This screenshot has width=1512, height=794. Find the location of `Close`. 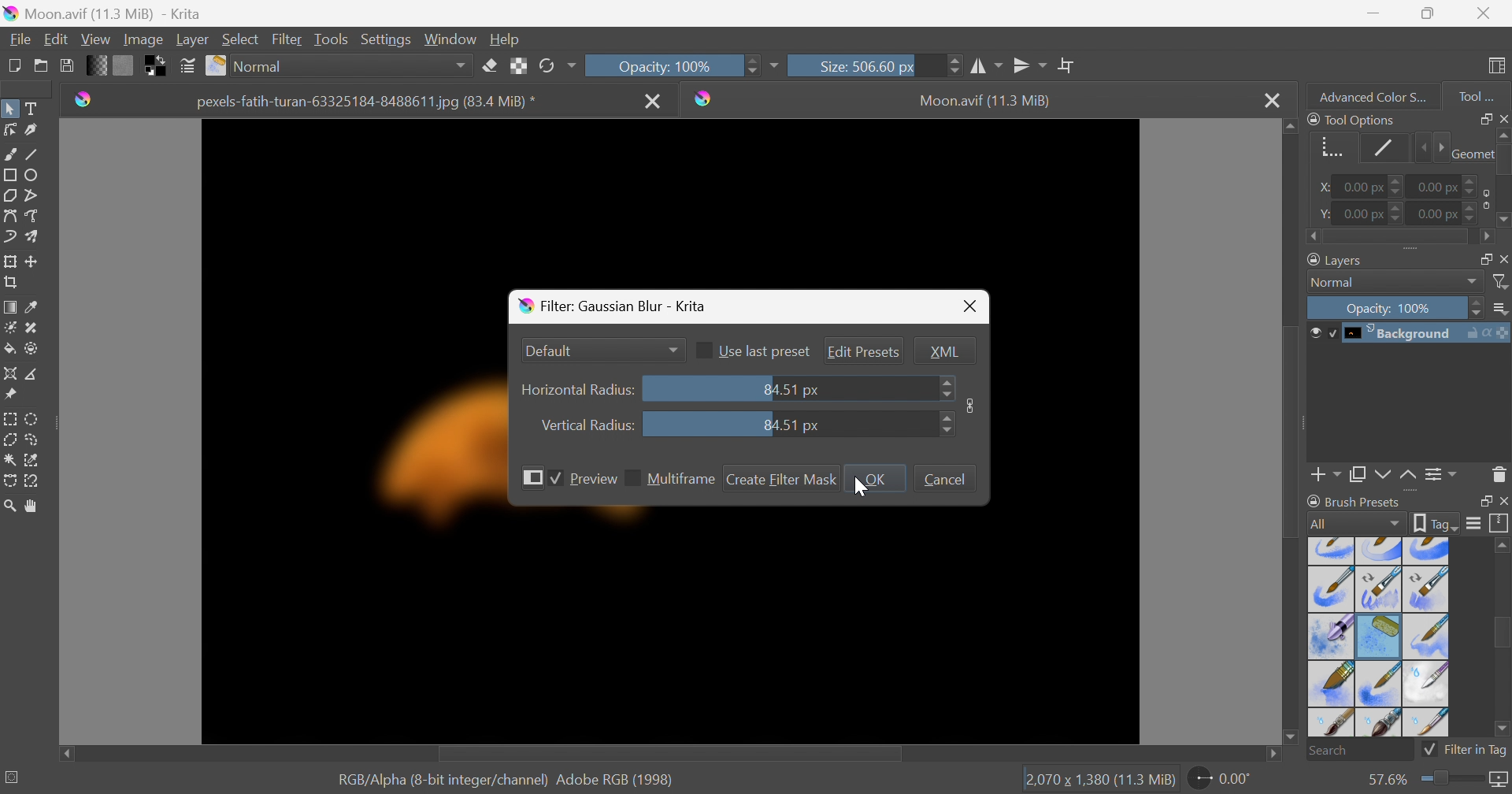

Close is located at coordinates (1271, 98).